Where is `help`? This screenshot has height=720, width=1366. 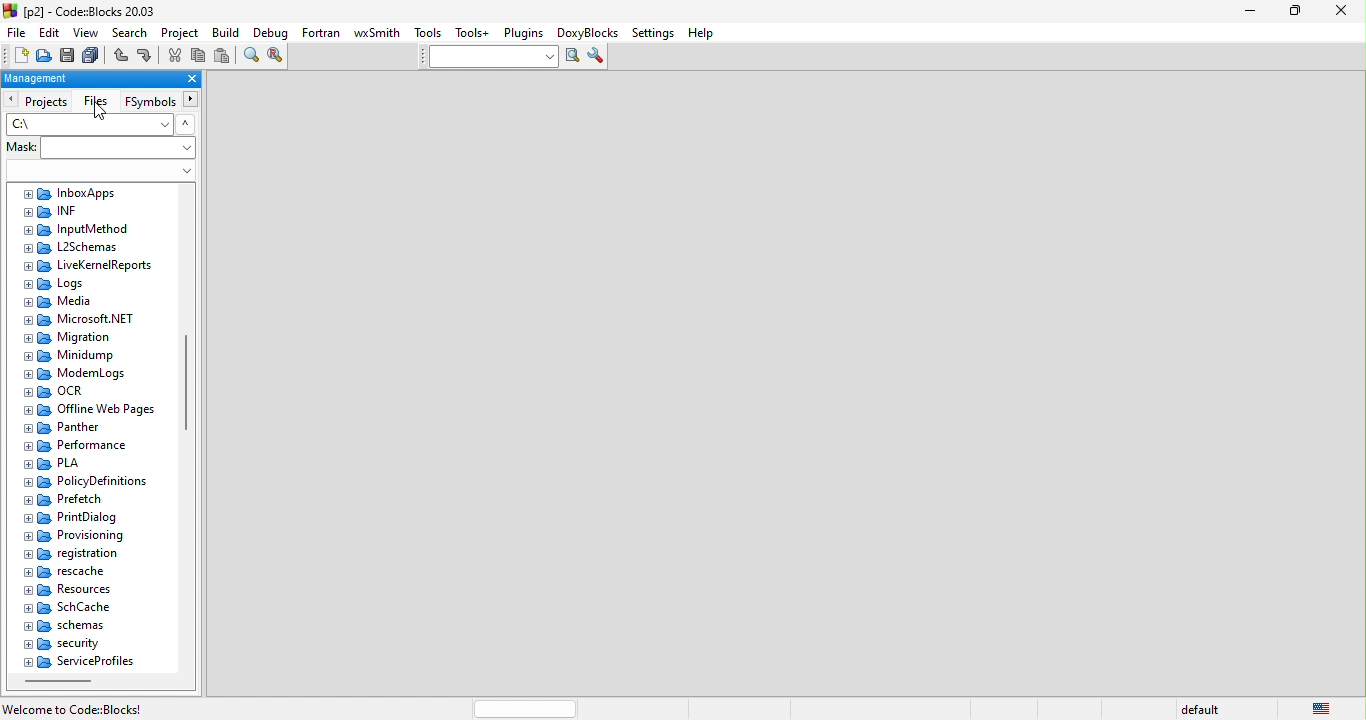 help is located at coordinates (712, 33).